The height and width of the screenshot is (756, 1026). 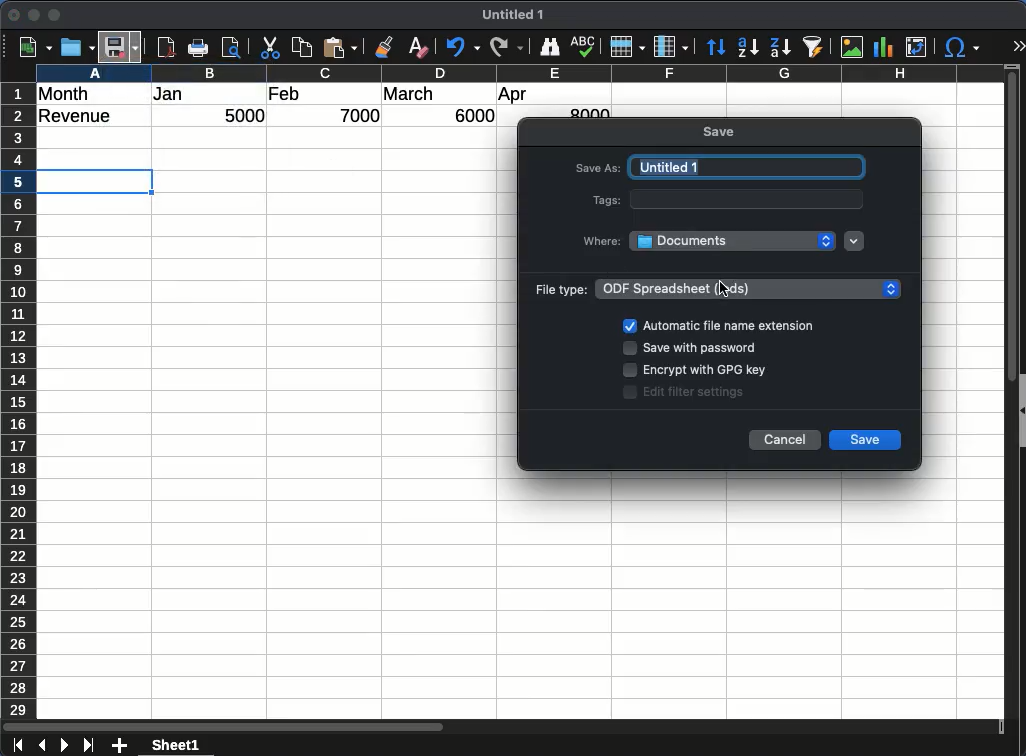 I want to click on automatic file name extension, so click(x=729, y=326).